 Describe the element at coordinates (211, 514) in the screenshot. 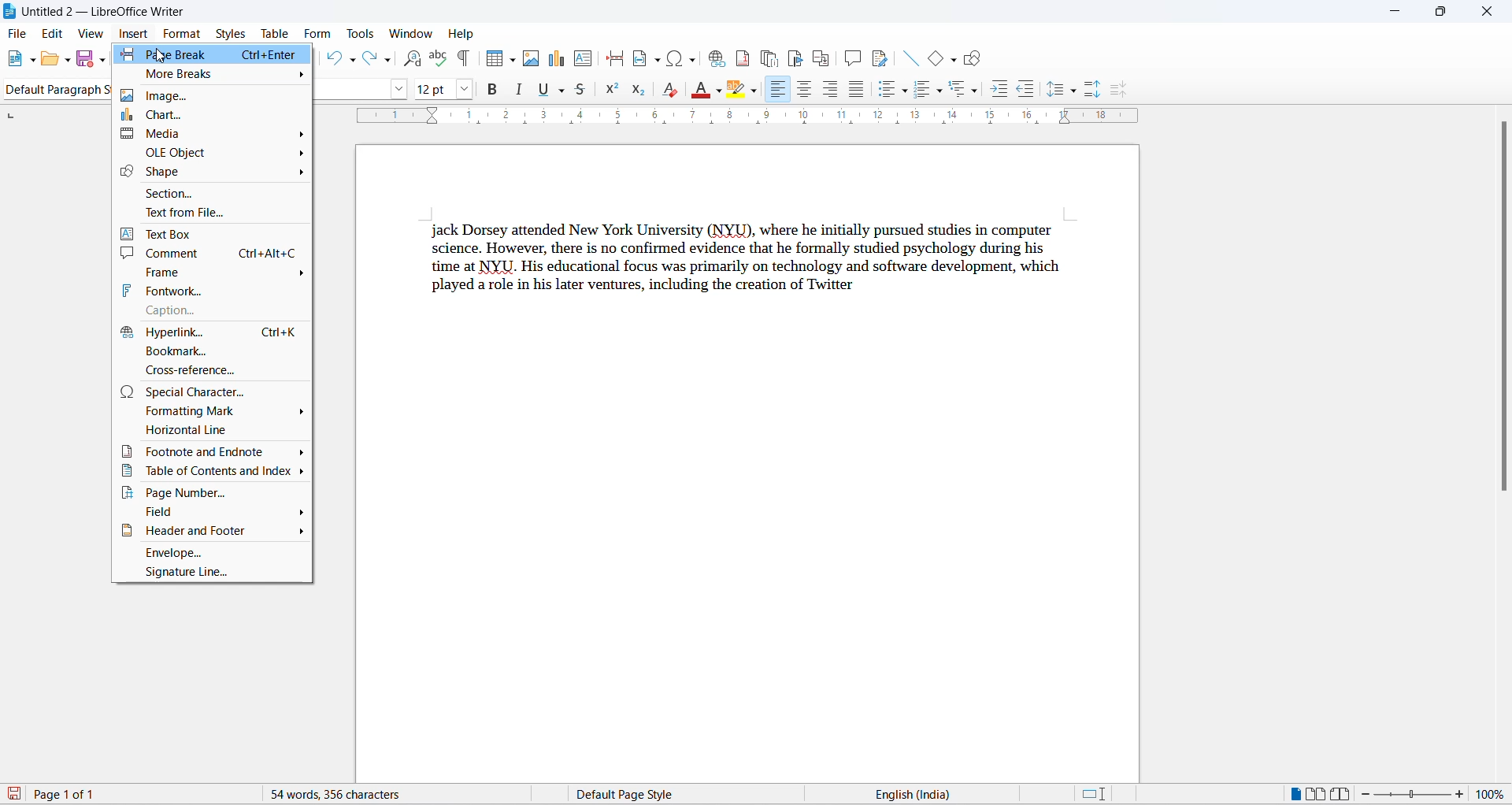

I see `field` at that location.